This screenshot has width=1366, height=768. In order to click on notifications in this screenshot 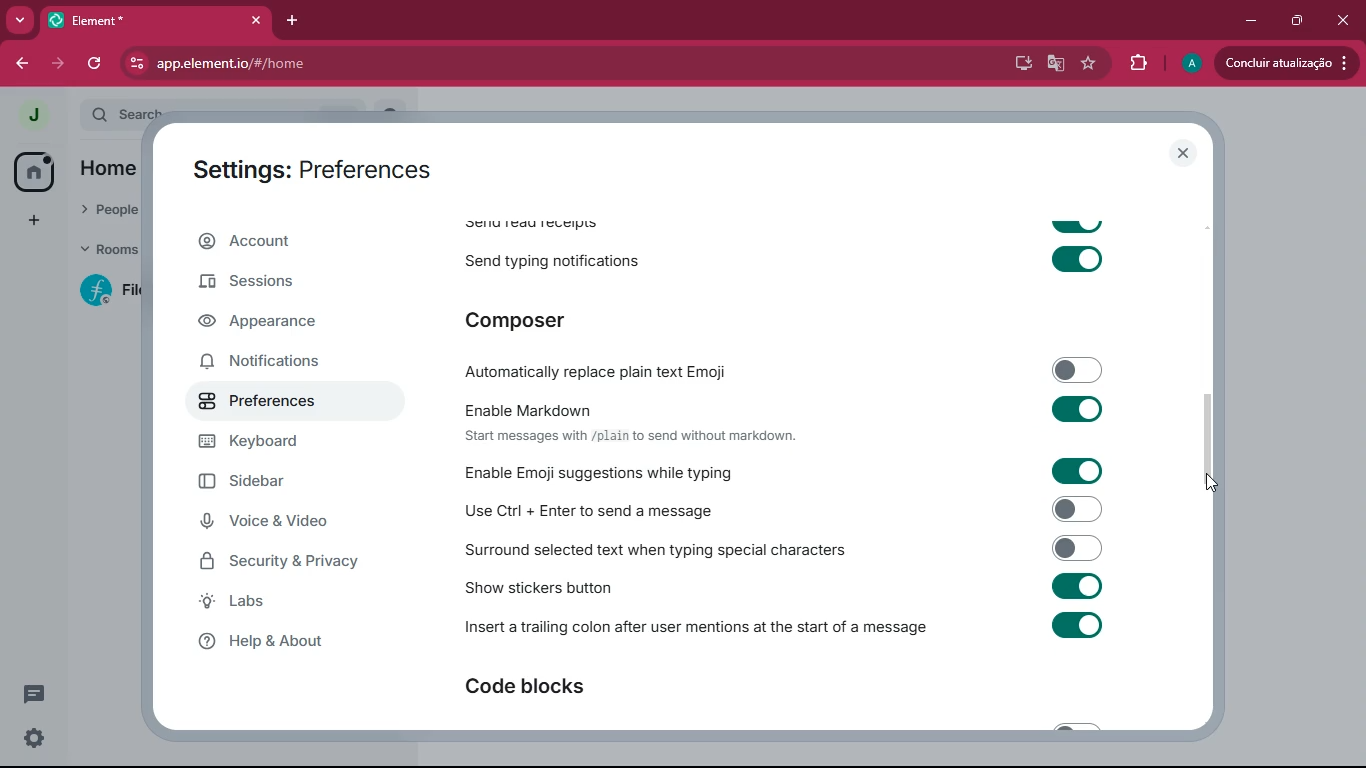, I will do `click(277, 359)`.